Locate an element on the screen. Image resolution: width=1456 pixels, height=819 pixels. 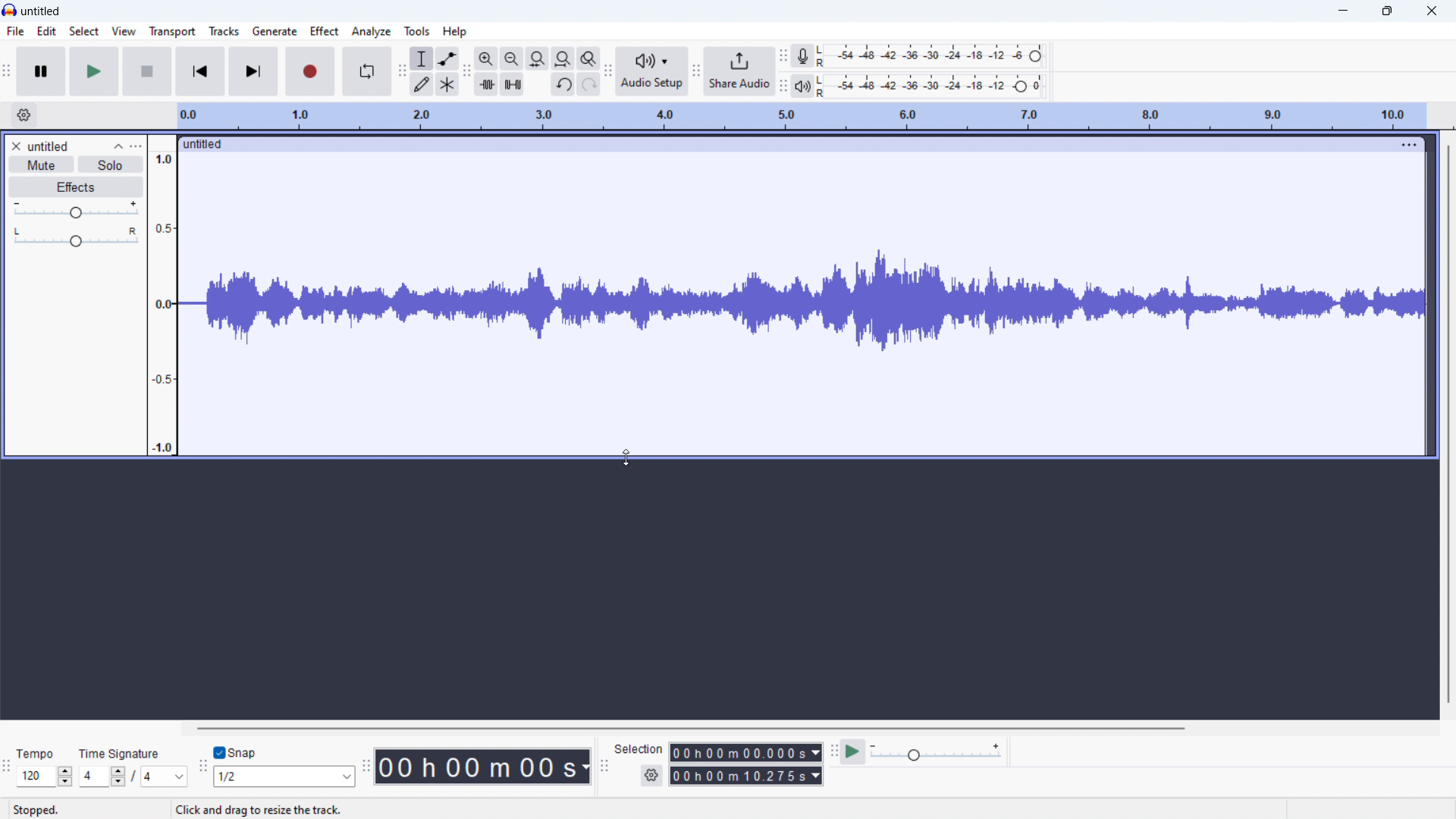
effect is located at coordinates (323, 31).